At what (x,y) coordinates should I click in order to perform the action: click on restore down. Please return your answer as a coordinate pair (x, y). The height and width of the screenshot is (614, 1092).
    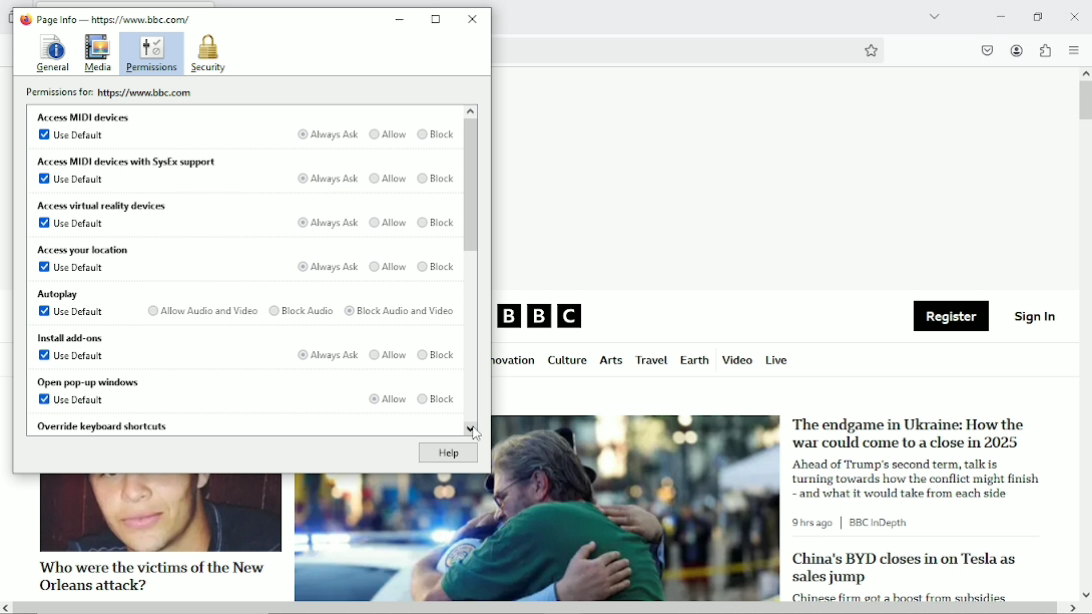
    Looking at the image, I should click on (1039, 16).